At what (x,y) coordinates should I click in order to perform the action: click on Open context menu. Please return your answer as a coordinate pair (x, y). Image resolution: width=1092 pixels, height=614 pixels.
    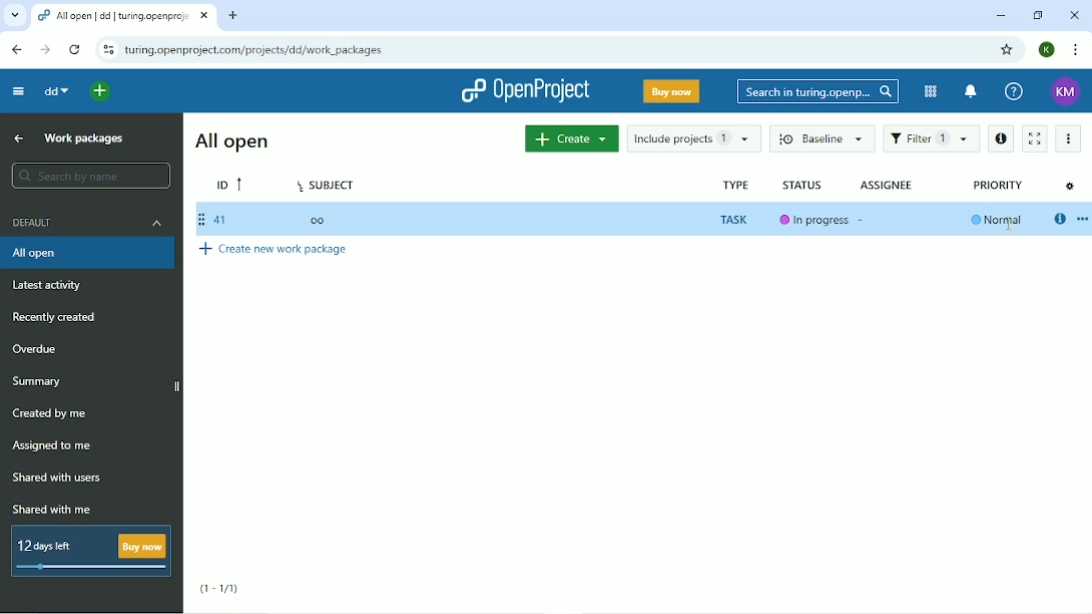
    Looking at the image, I should click on (1084, 220).